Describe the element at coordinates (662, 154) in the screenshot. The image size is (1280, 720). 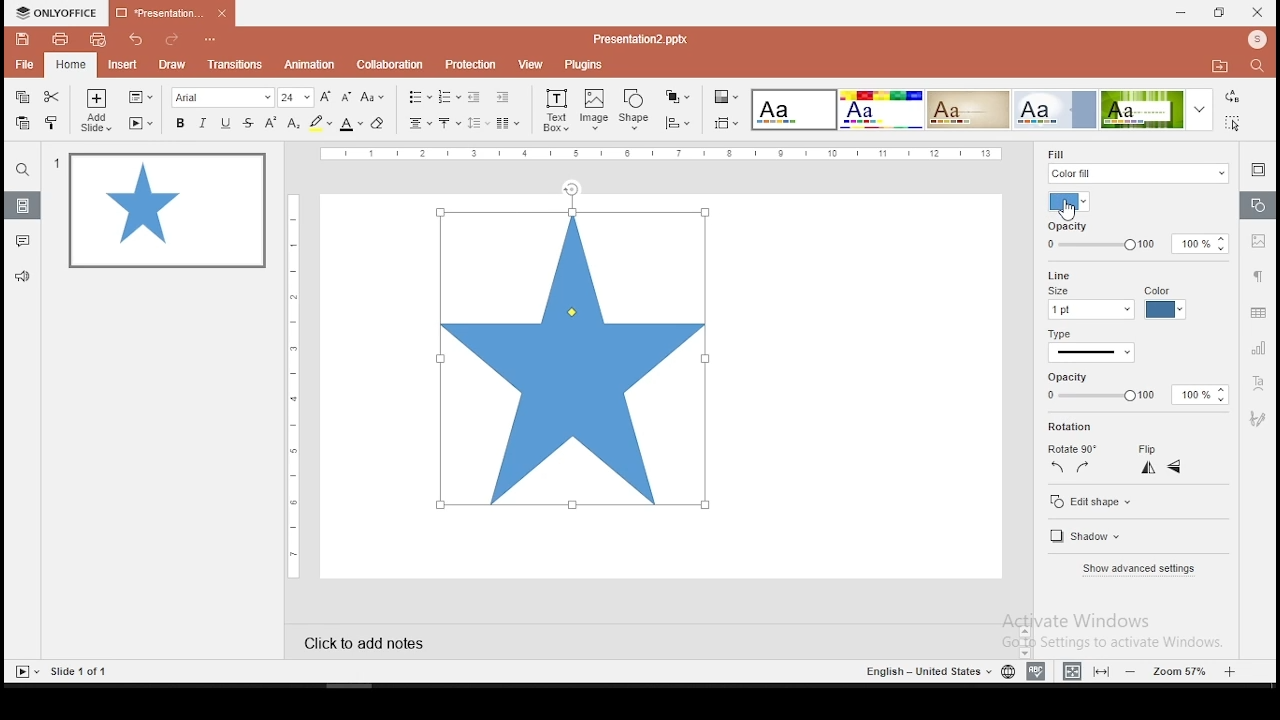
I see `vertical scale` at that location.